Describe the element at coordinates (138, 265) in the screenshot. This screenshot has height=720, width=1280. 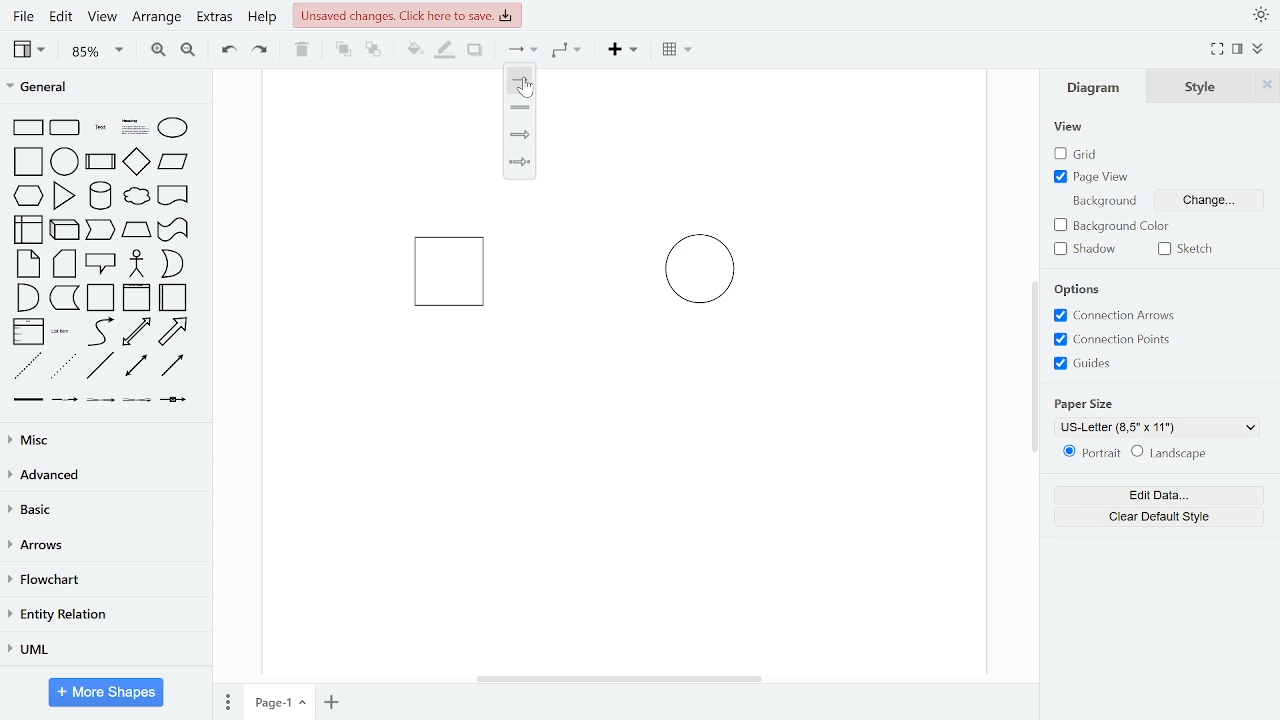
I see `actor` at that location.